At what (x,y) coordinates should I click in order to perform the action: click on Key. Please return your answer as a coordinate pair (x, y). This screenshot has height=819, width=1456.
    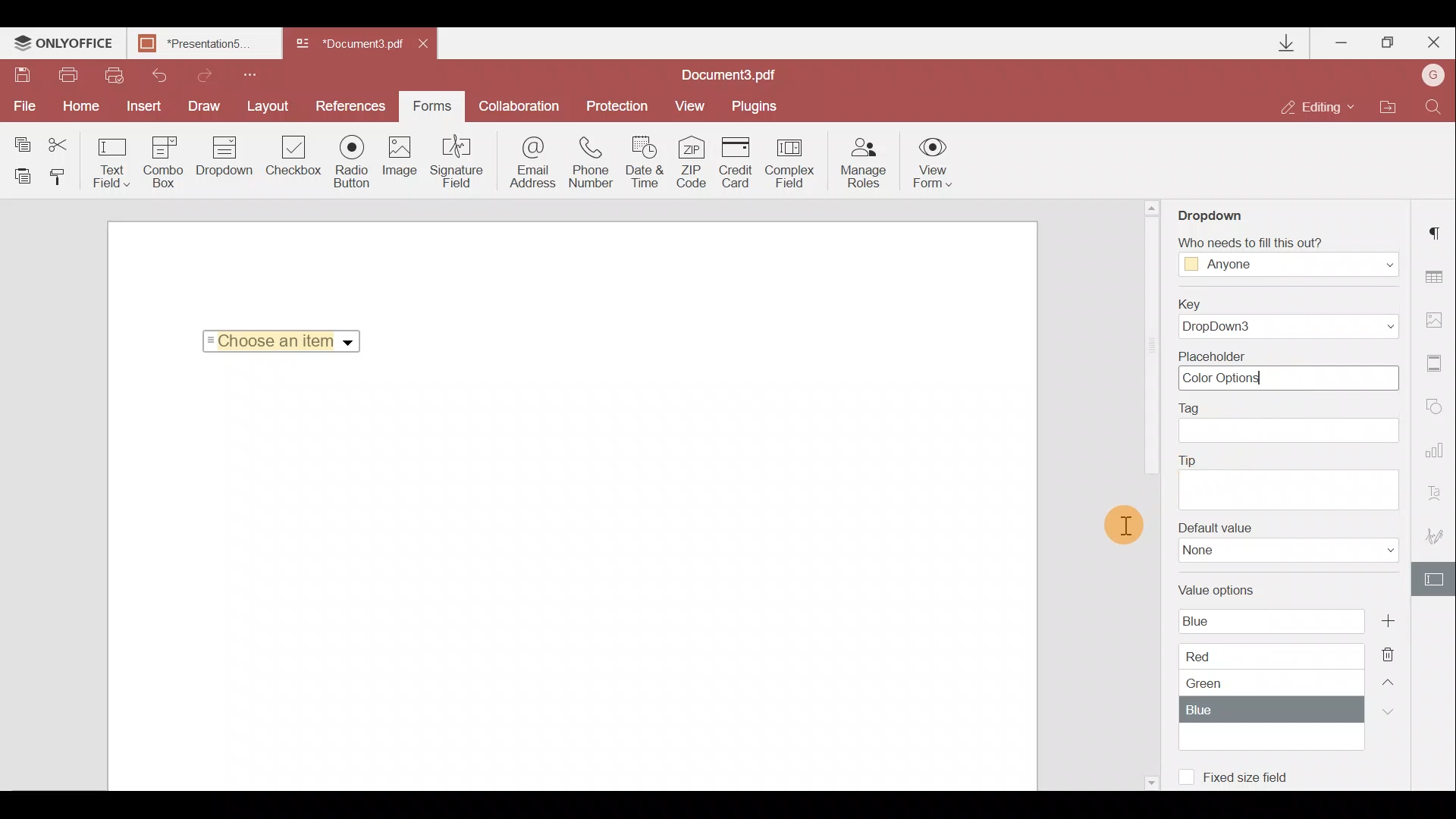
    Looking at the image, I should click on (1292, 317).